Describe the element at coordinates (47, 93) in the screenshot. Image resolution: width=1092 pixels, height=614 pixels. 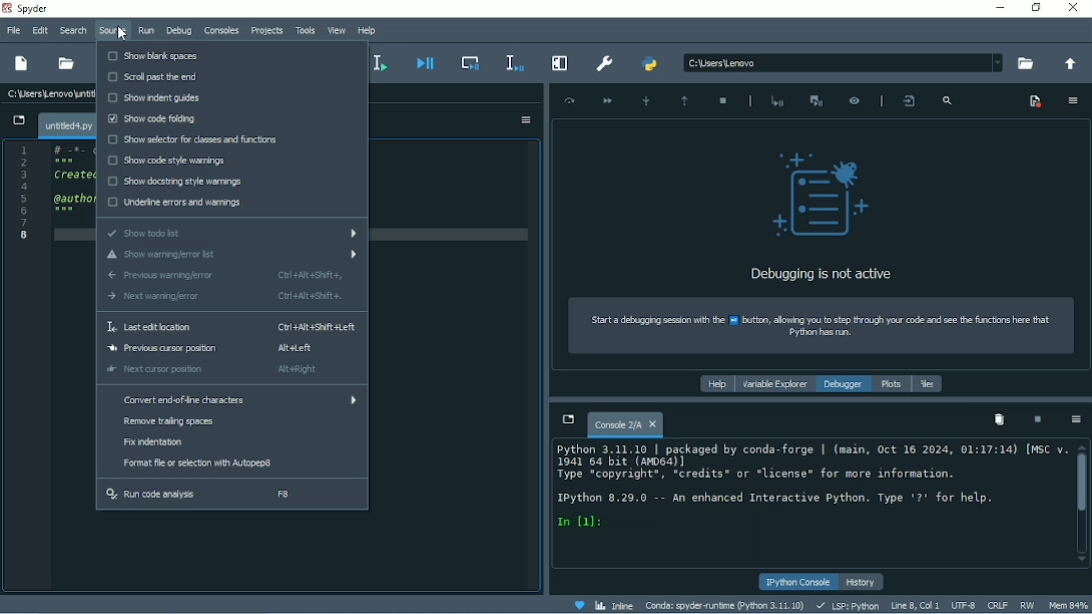
I see `File name` at that location.